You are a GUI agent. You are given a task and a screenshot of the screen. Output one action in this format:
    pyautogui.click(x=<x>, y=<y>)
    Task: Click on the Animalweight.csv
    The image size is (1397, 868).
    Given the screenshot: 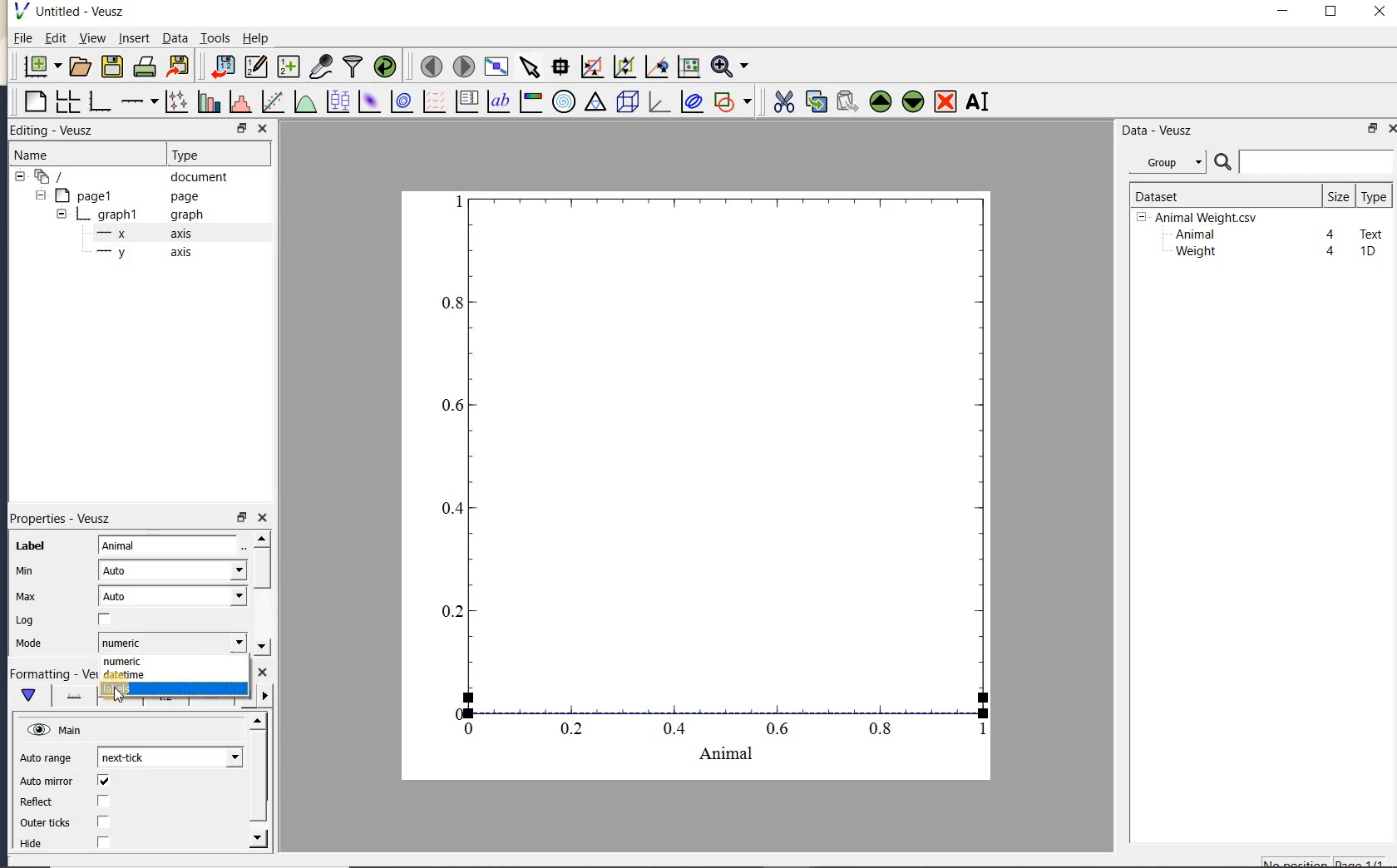 What is the action you would take?
    pyautogui.click(x=1201, y=218)
    